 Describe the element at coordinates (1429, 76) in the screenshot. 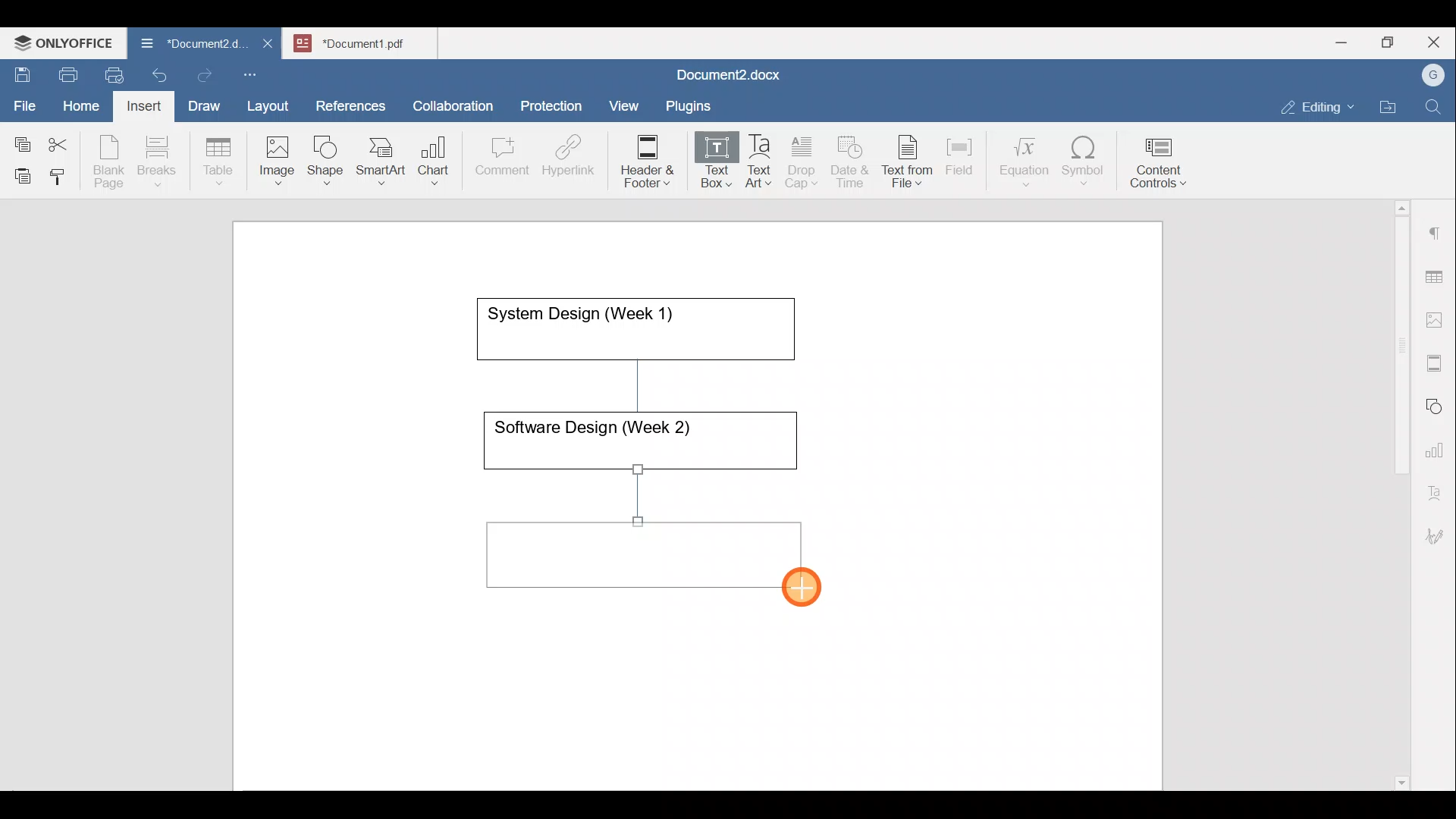

I see `Account name` at that location.